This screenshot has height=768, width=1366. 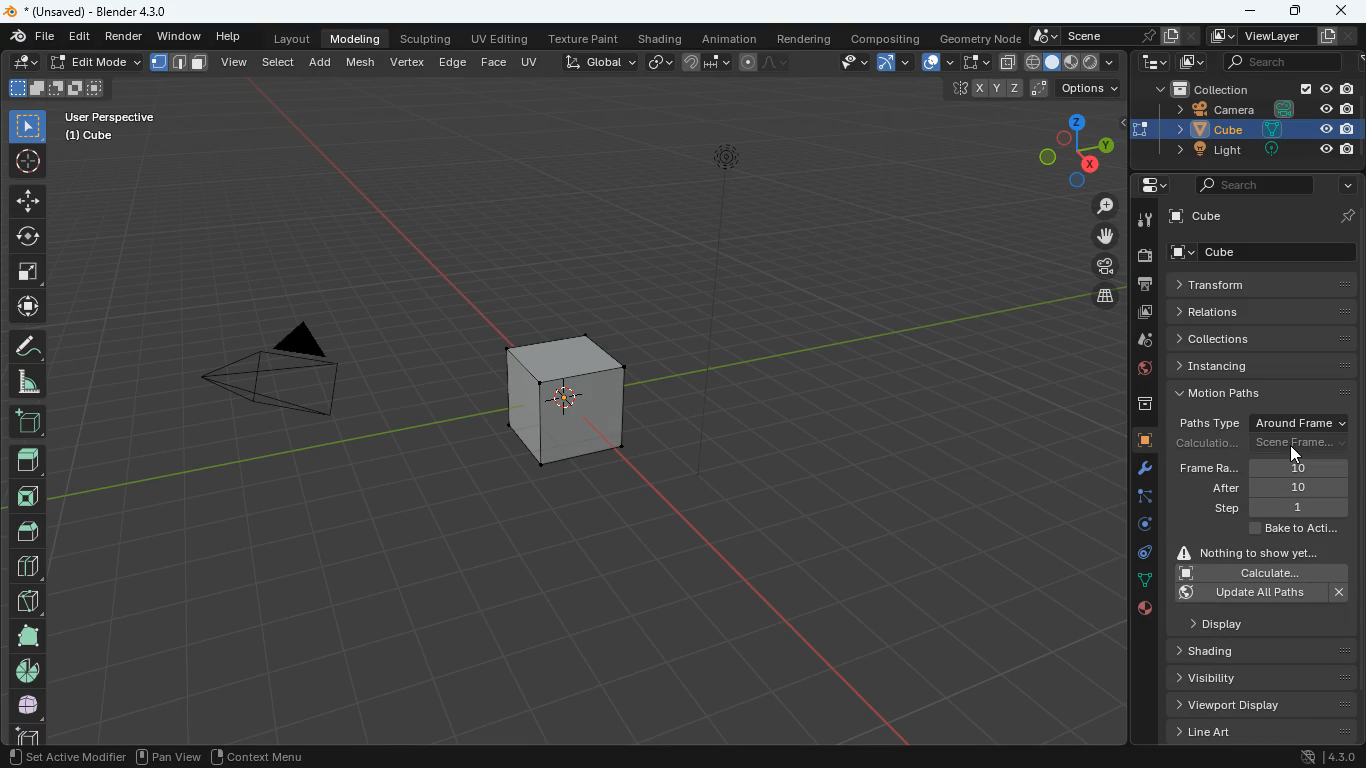 I want to click on search, so click(x=1274, y=63).